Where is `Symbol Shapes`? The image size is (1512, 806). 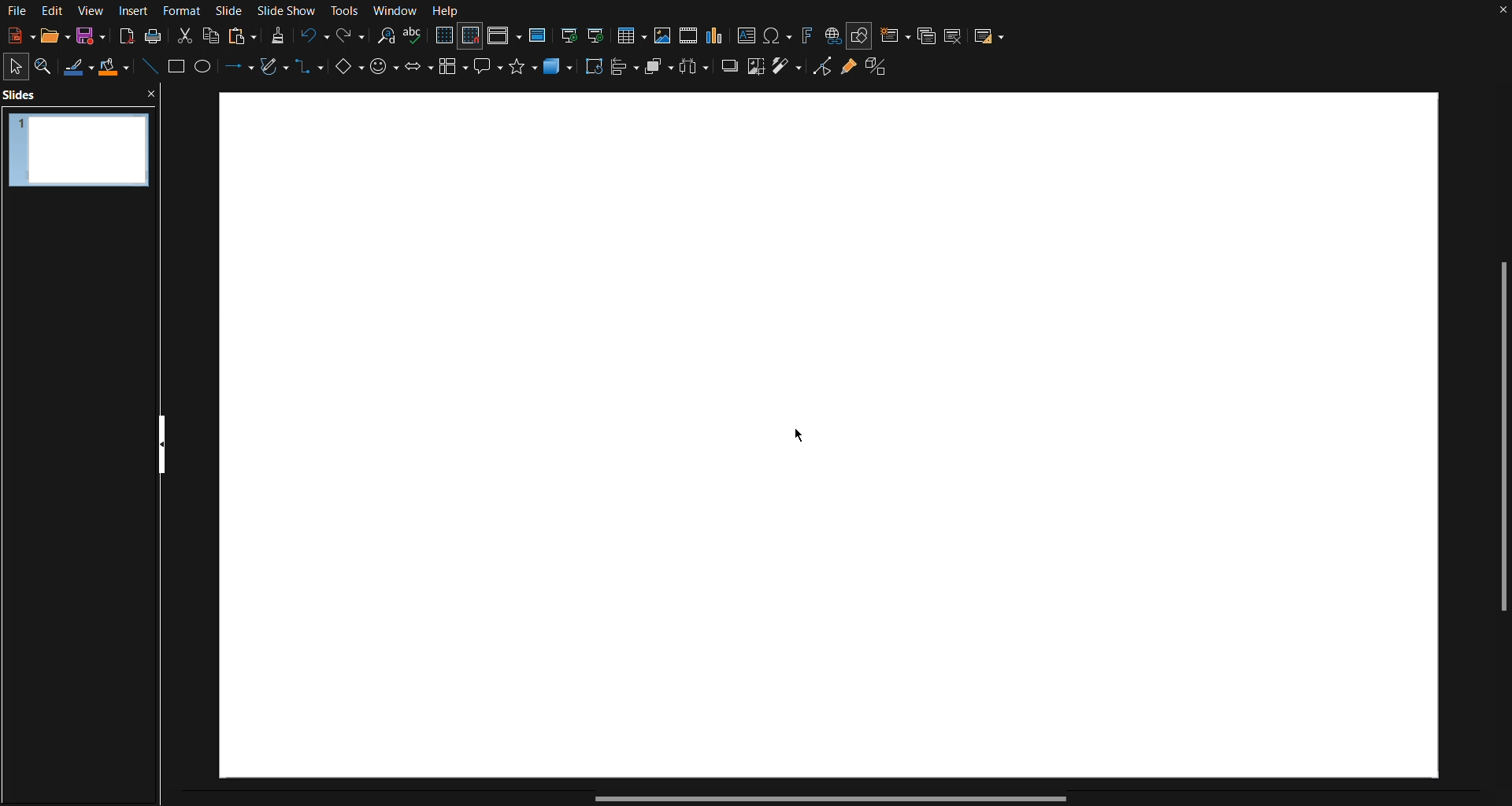 Symbol Shapes is located at coordinates (384, 72).